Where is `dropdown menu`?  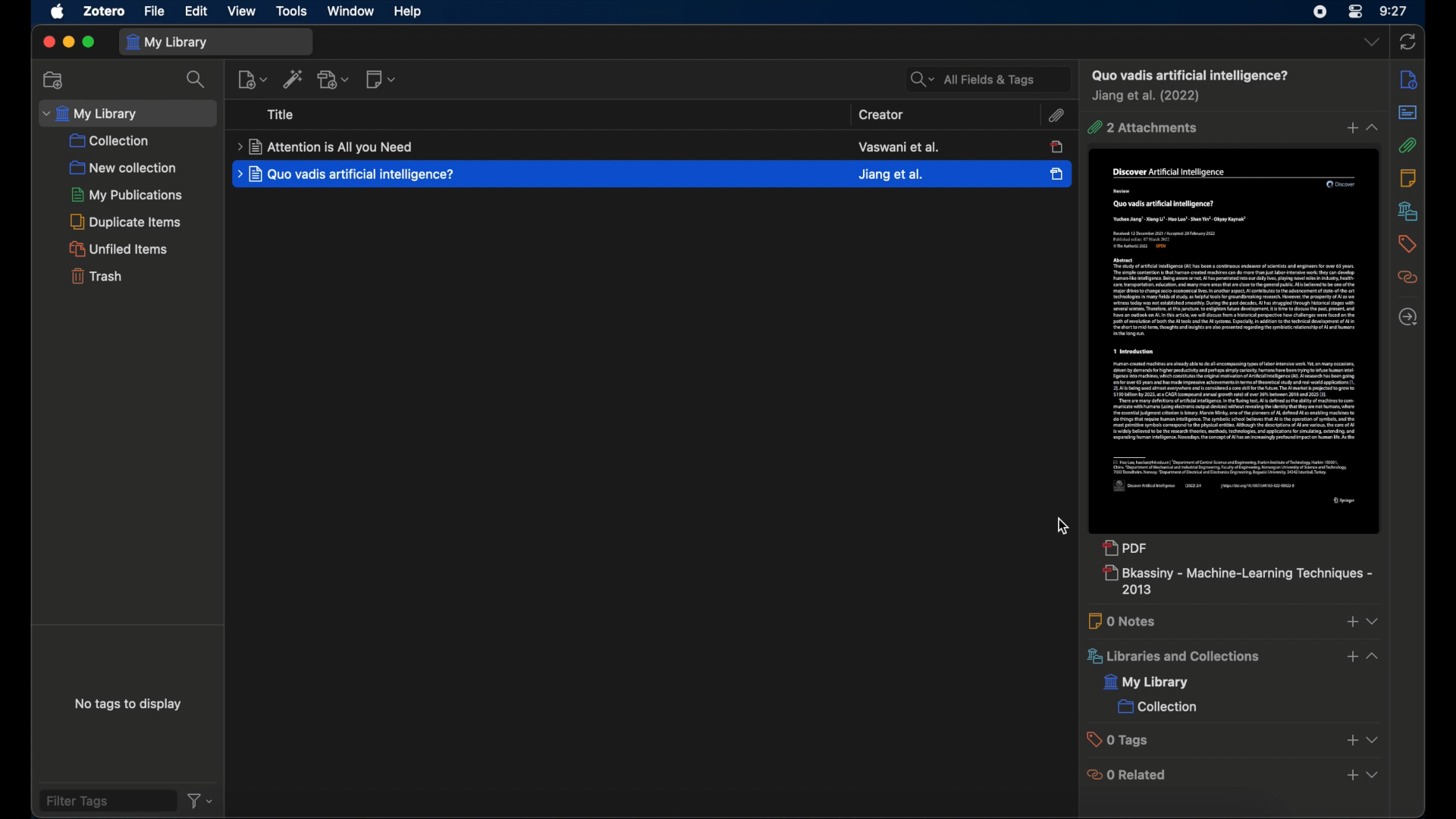 dropdown menu is located at coordinates (1374, 622).